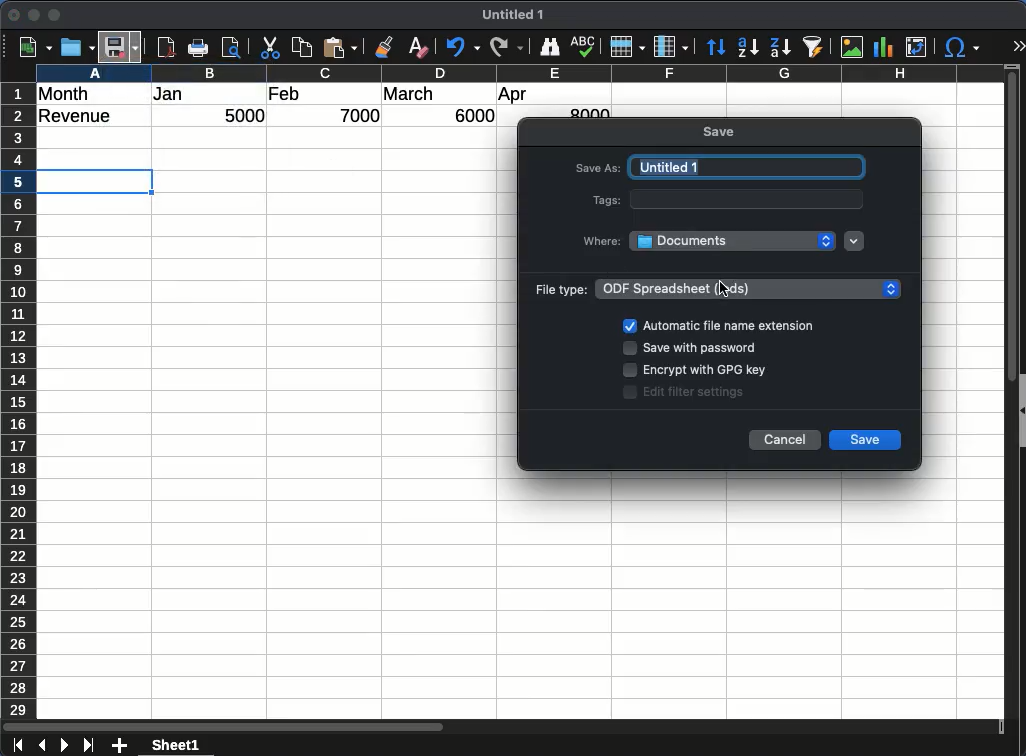 The width and height of the screenshot is (1026, 756). Describe the element at coordinates (630, 370) in the screenshot. I see `Checkbox` at that location.